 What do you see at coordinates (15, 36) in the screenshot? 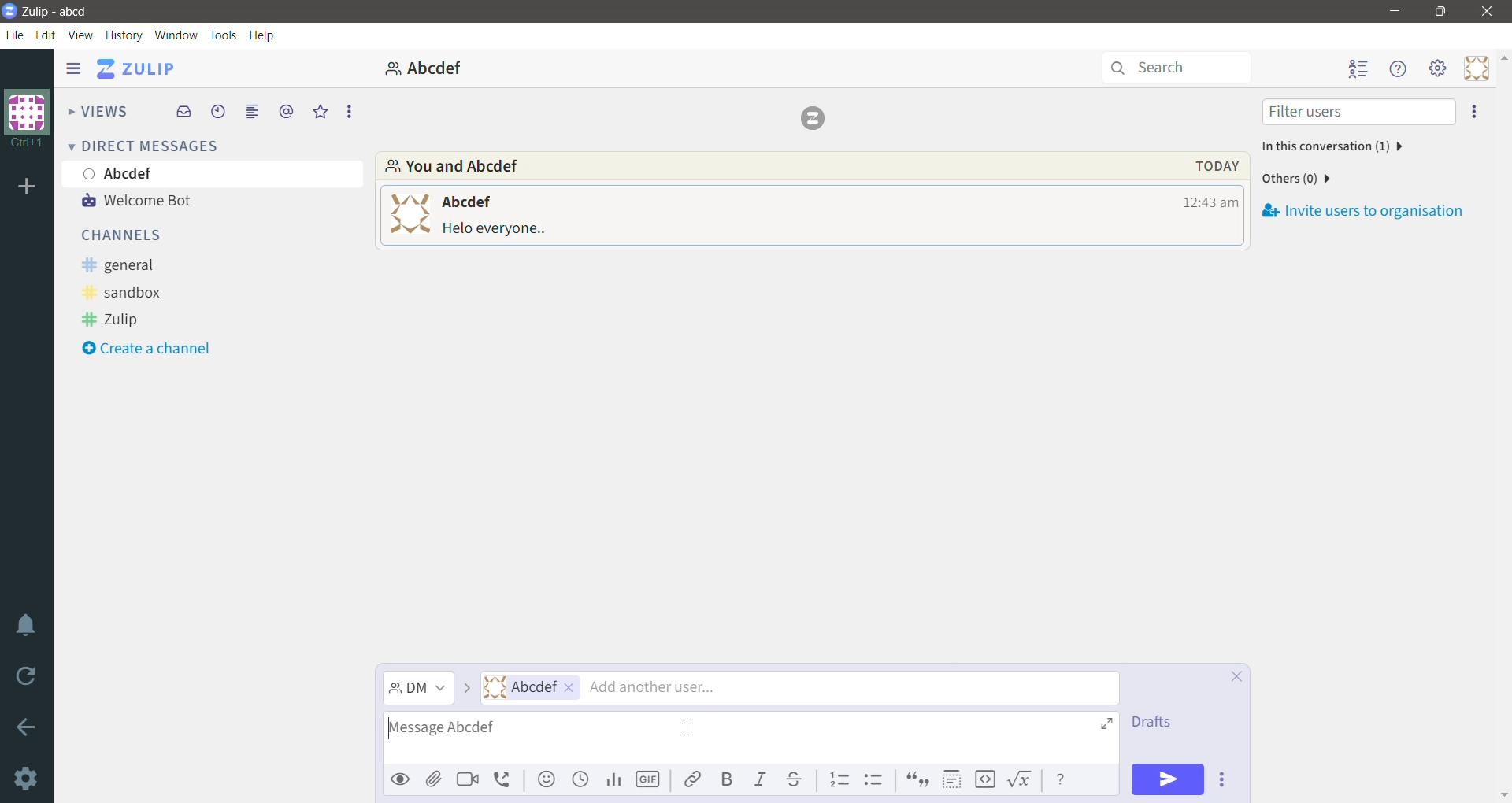
I see `File` at bounding box center [15, 36].